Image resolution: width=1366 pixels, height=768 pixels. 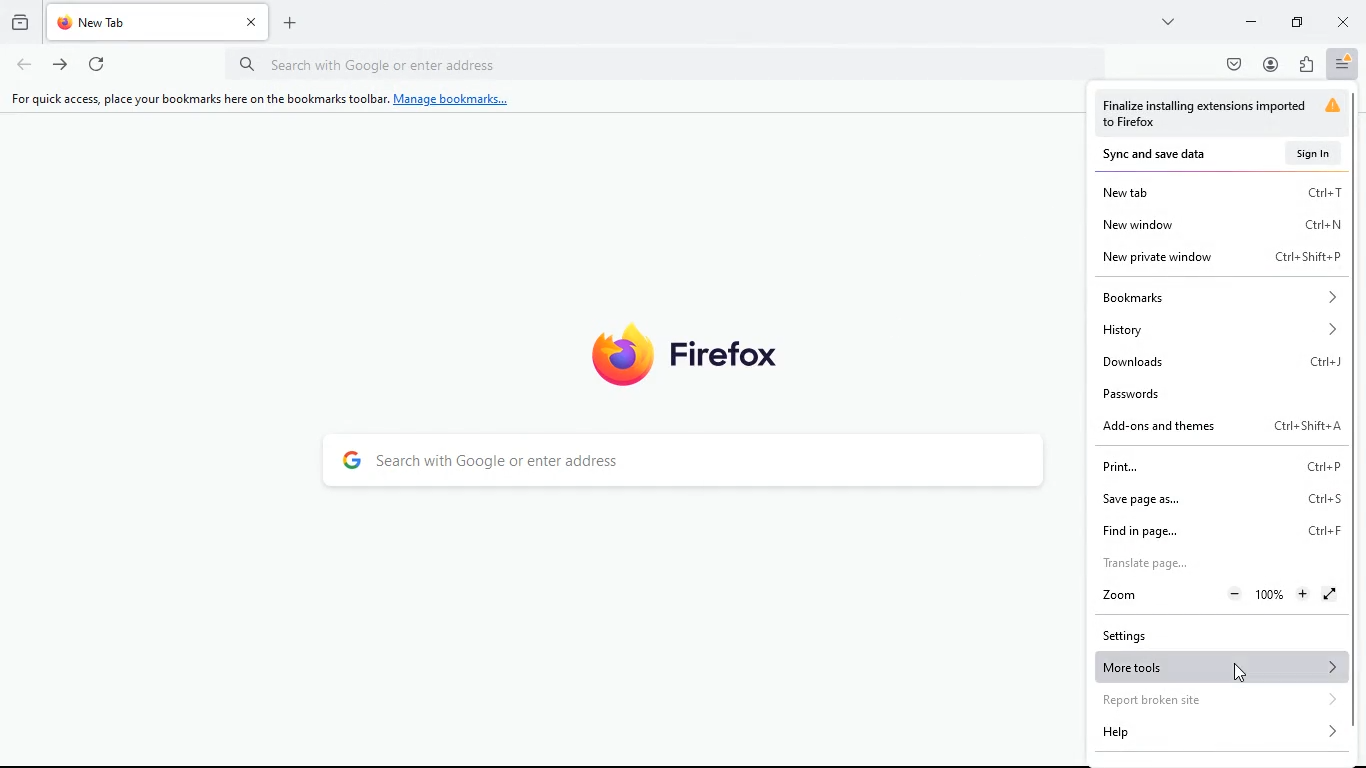 I want to click on profile, so click(x=1270, y=66).